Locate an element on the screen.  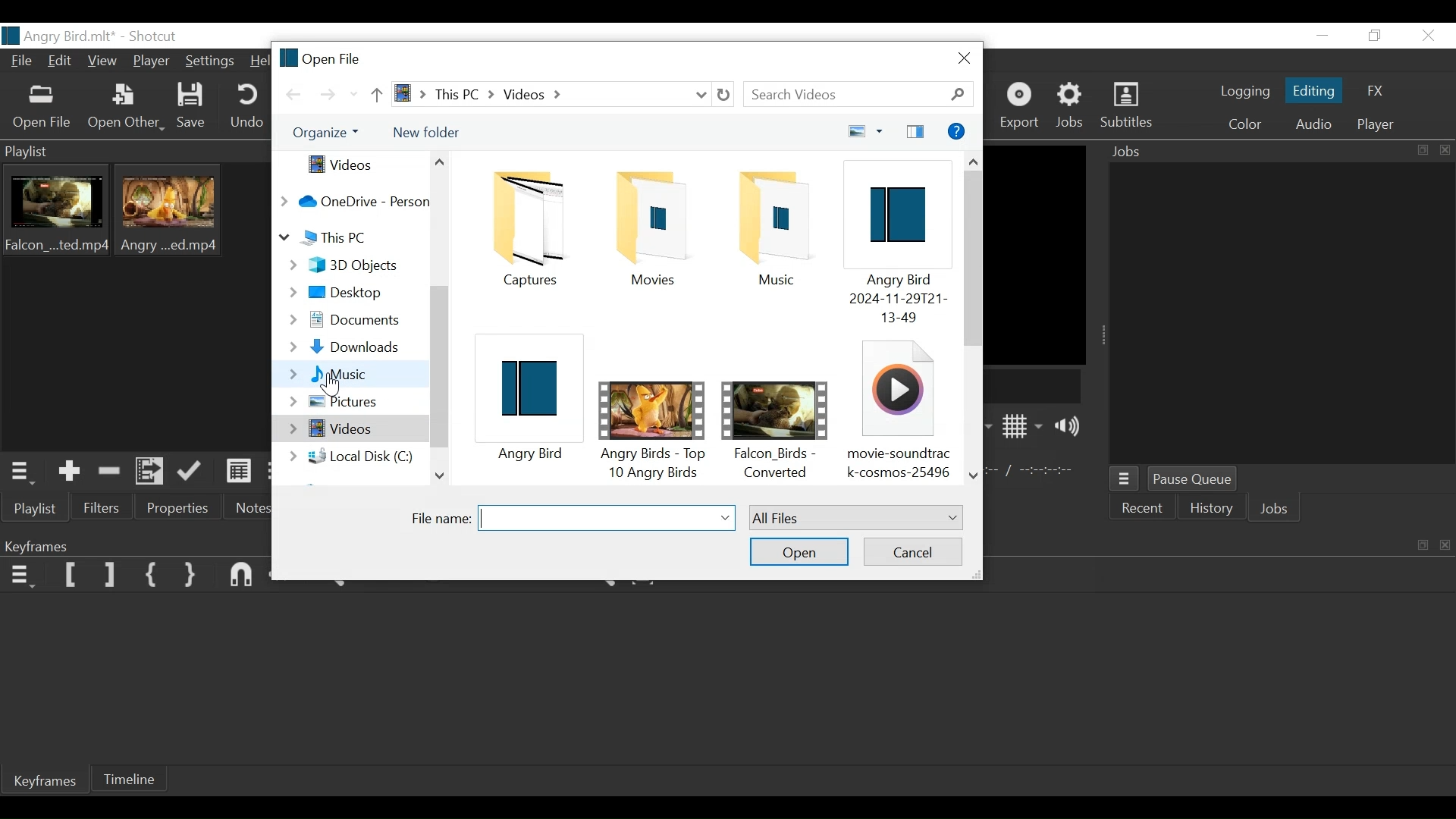
Subtitles is located at coordinates (1132, 106).